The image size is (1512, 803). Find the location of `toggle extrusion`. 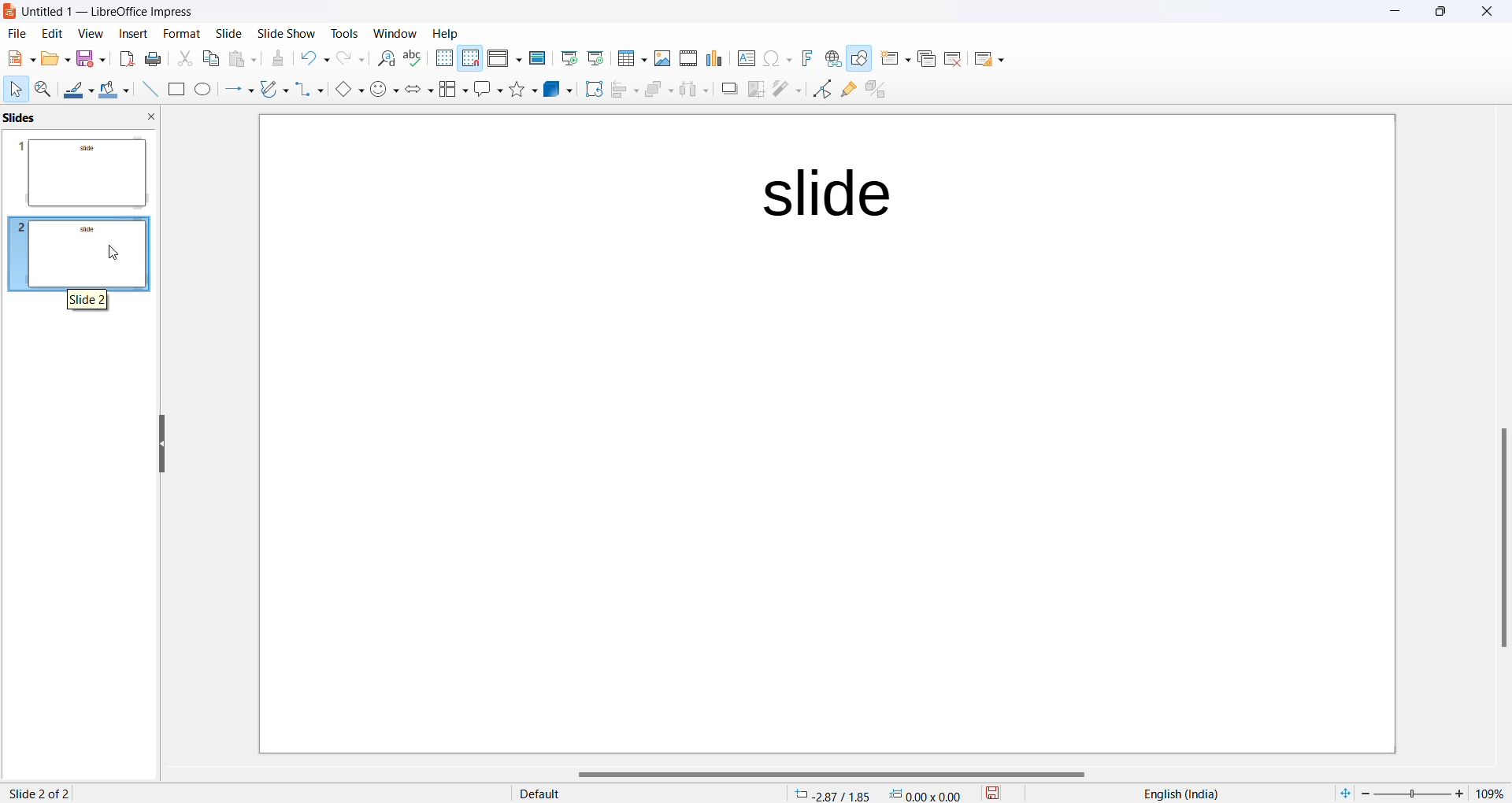

toggle extrusion is located at coordinates (876, 89).